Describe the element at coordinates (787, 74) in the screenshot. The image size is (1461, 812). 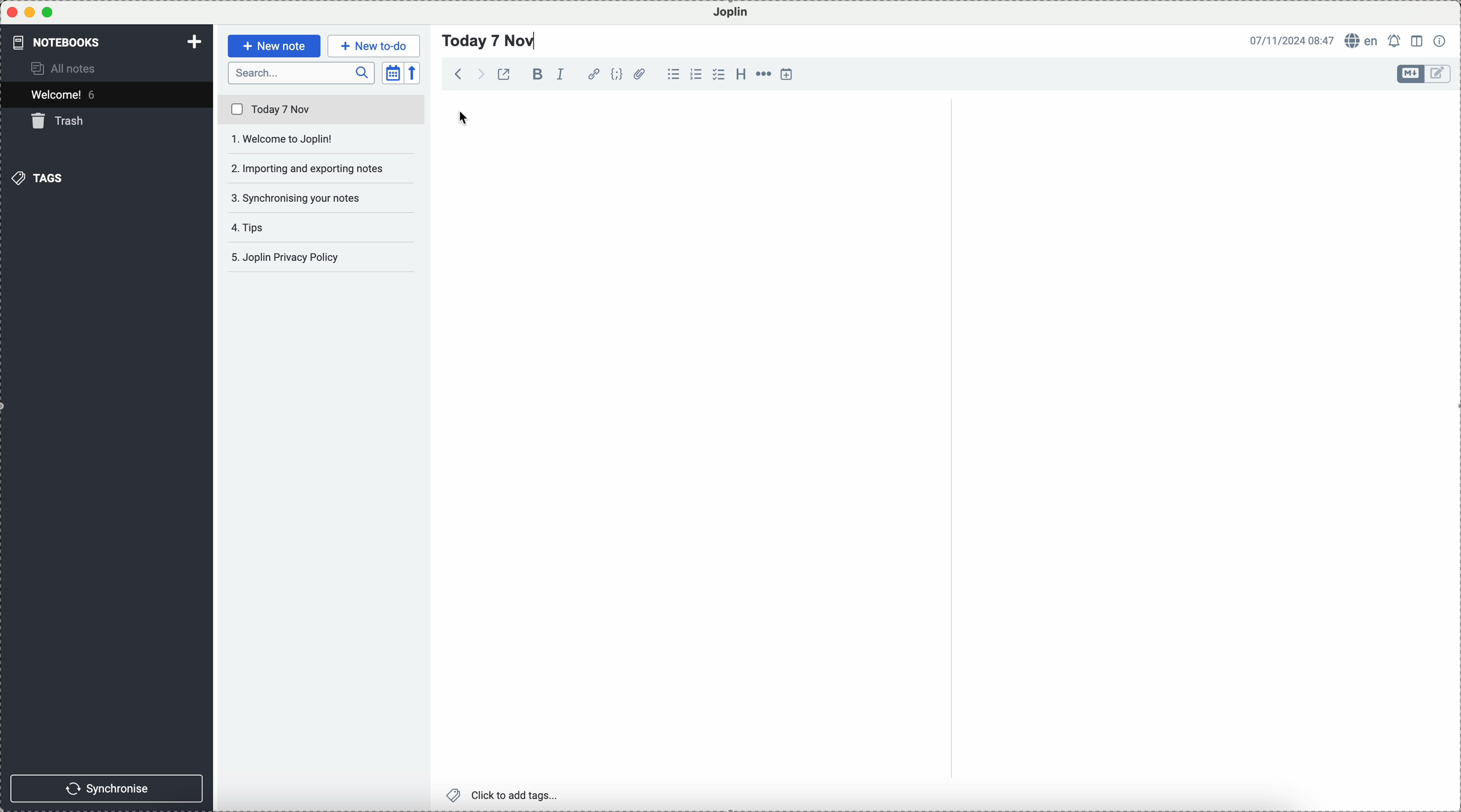
I see `insert time` at that location.